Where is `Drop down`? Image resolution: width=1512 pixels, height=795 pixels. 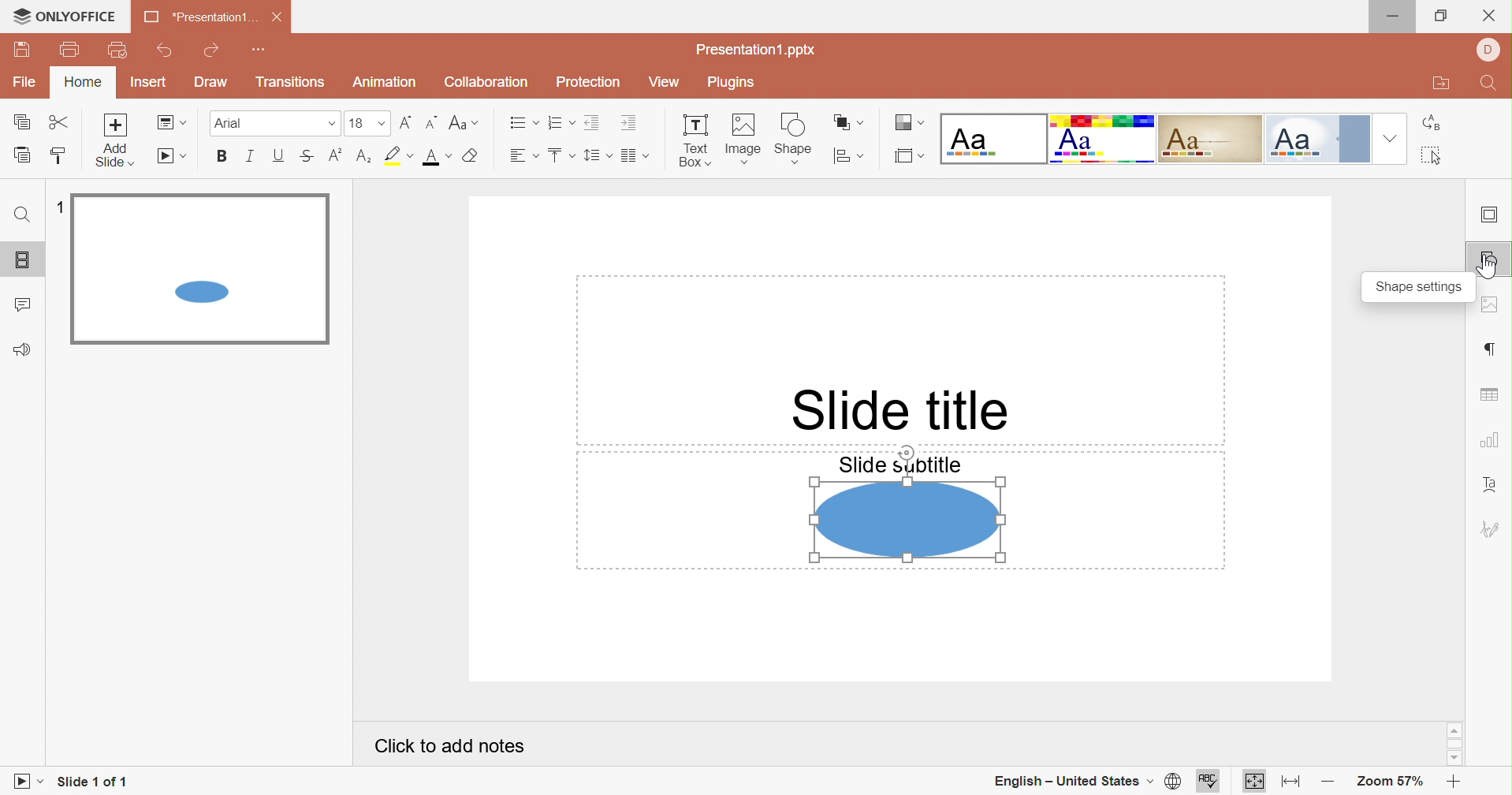
Drop down is located at coordinates (1391, 139).